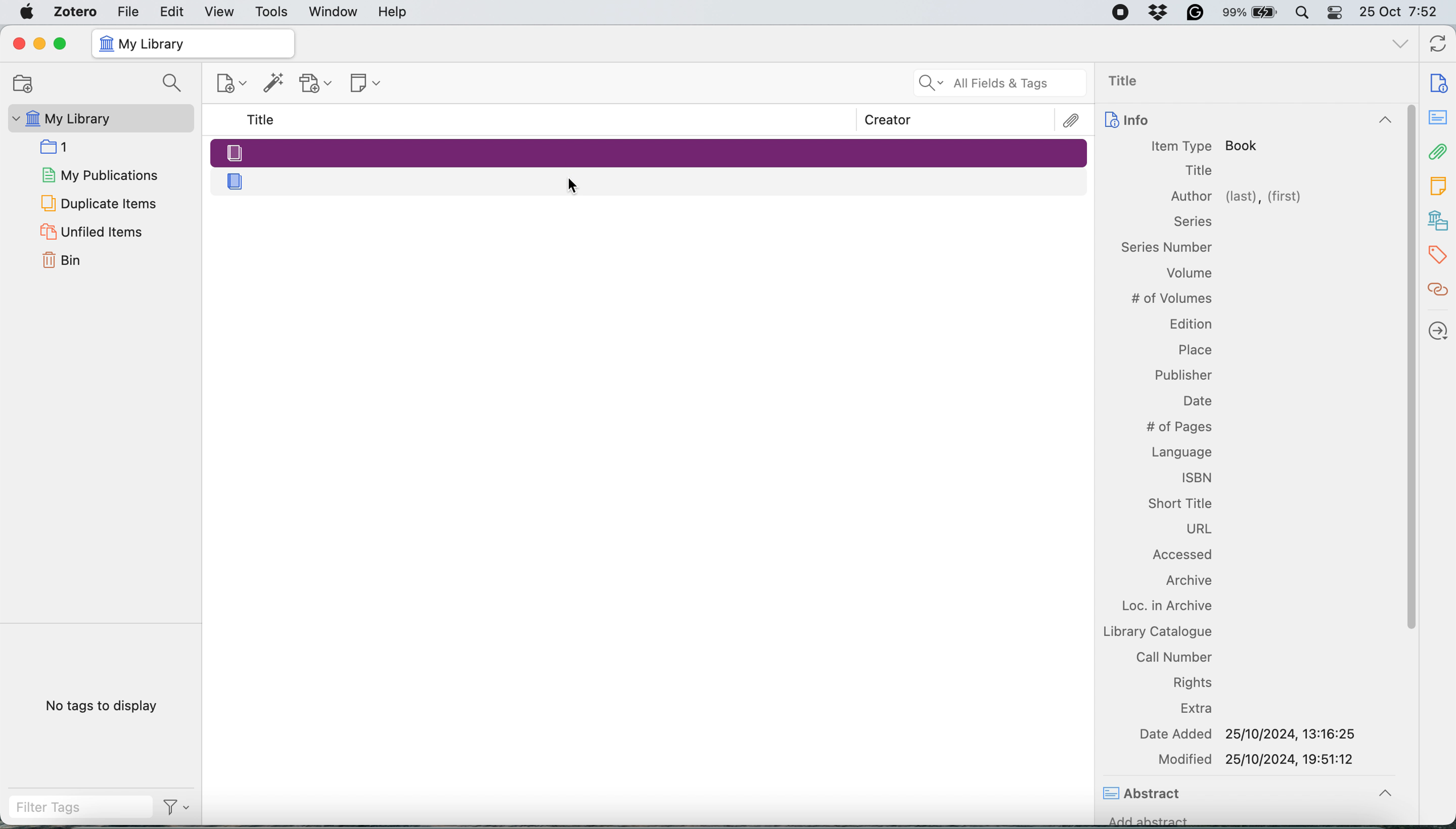  What do you see at coordinates (1246, 121) in the screenshot?
I see `Info` at bounding box center [1246, 121].